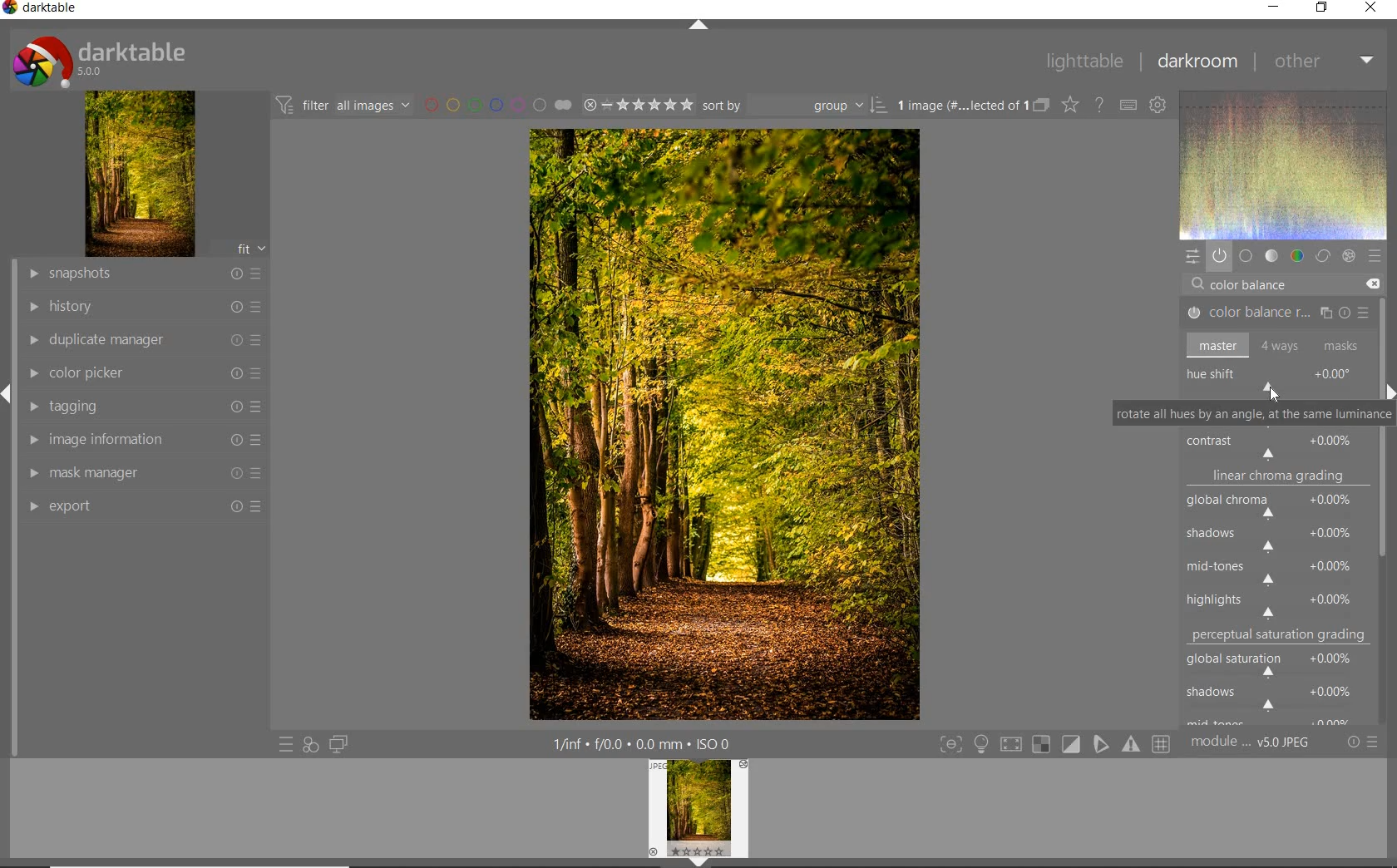 The image size is (1397, 868). I want to click on show only active module, so click(1219, 255).